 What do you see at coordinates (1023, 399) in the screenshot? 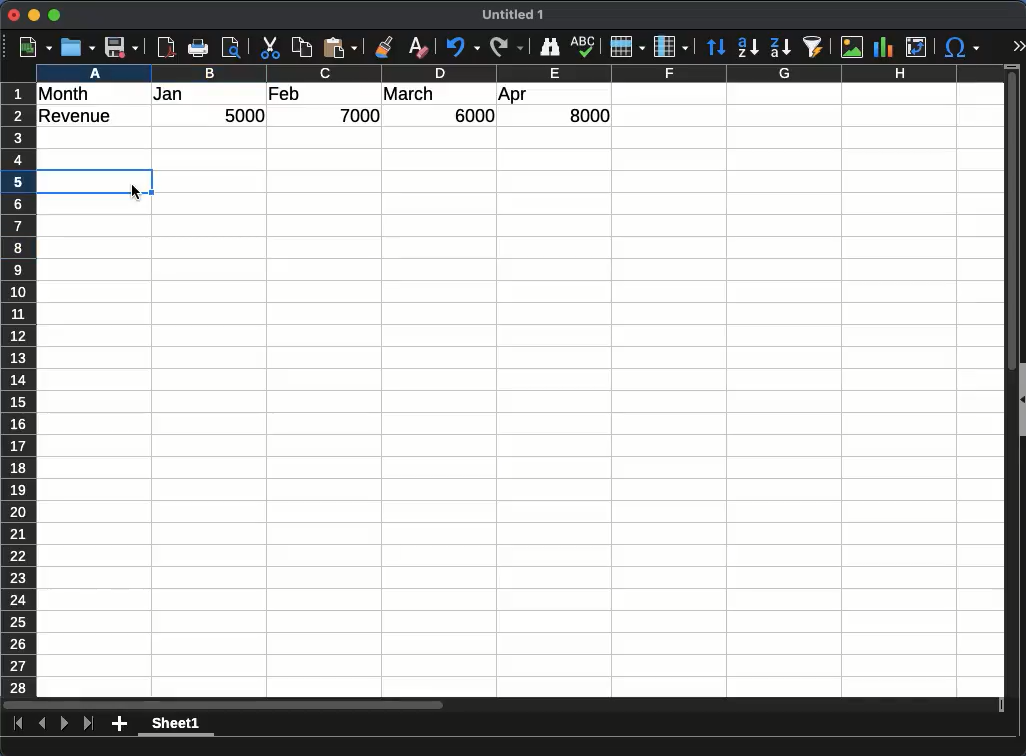
I see `Expand/Colapse` at bounding box center [1023, 399].